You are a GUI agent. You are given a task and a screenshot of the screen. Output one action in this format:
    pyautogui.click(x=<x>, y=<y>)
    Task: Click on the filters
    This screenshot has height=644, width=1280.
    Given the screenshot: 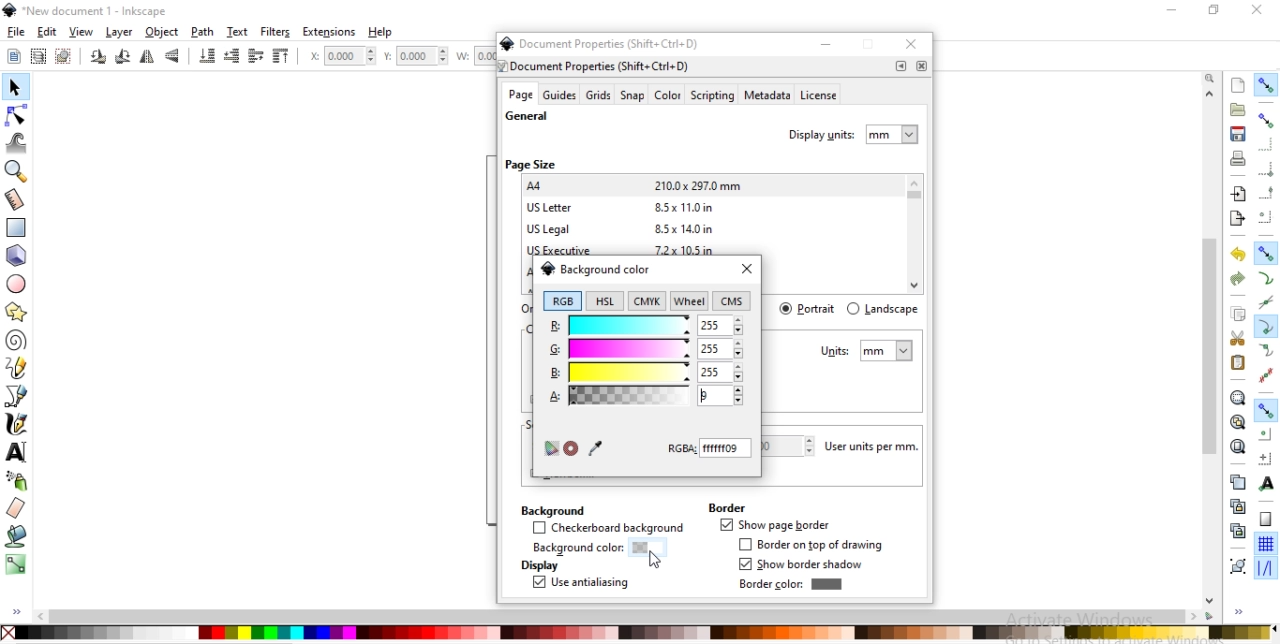 What is the action you would take?
    pyautogui.click(x=276, y=32)
    